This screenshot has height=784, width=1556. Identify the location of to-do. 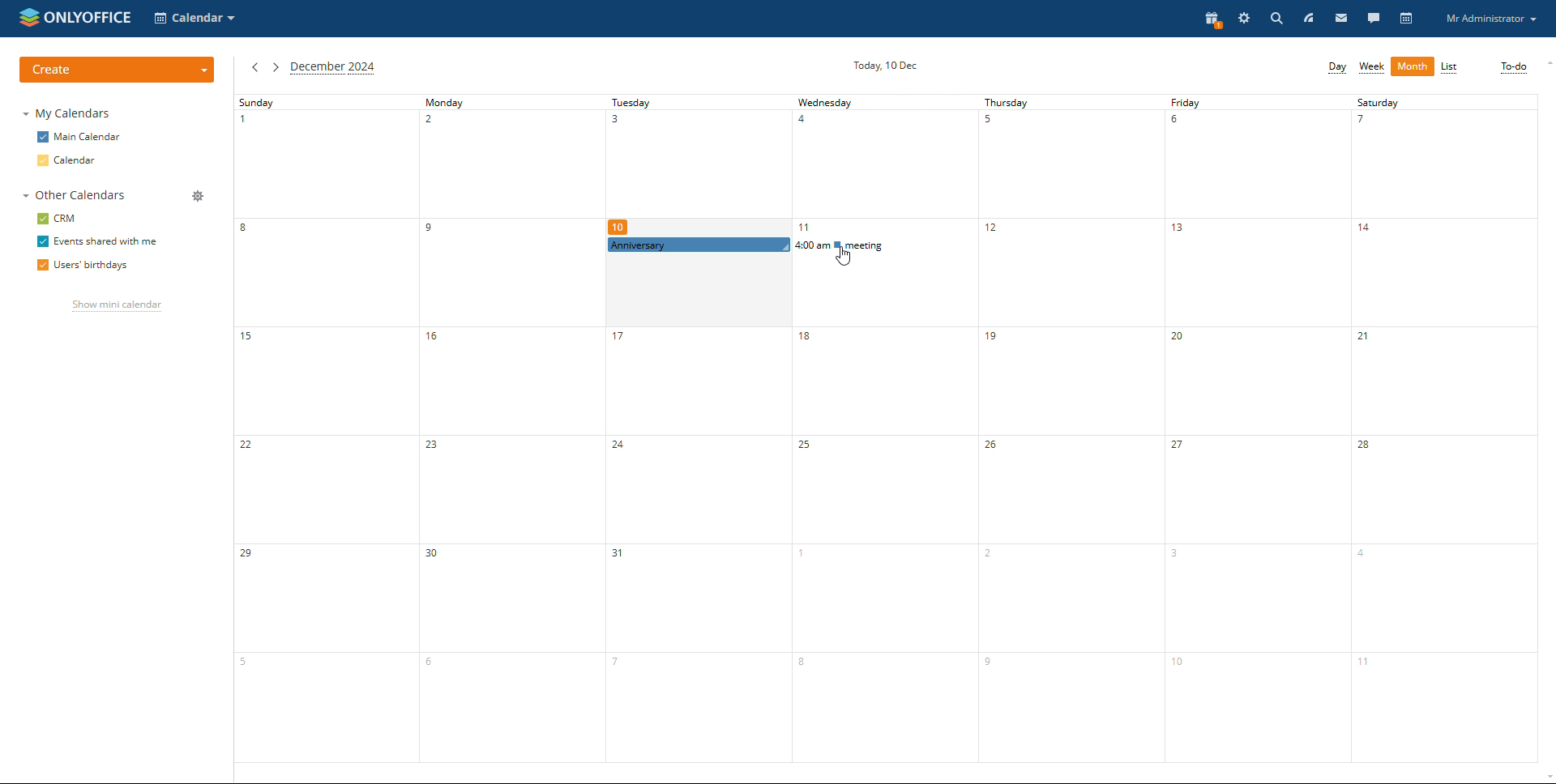
(1515, 68).